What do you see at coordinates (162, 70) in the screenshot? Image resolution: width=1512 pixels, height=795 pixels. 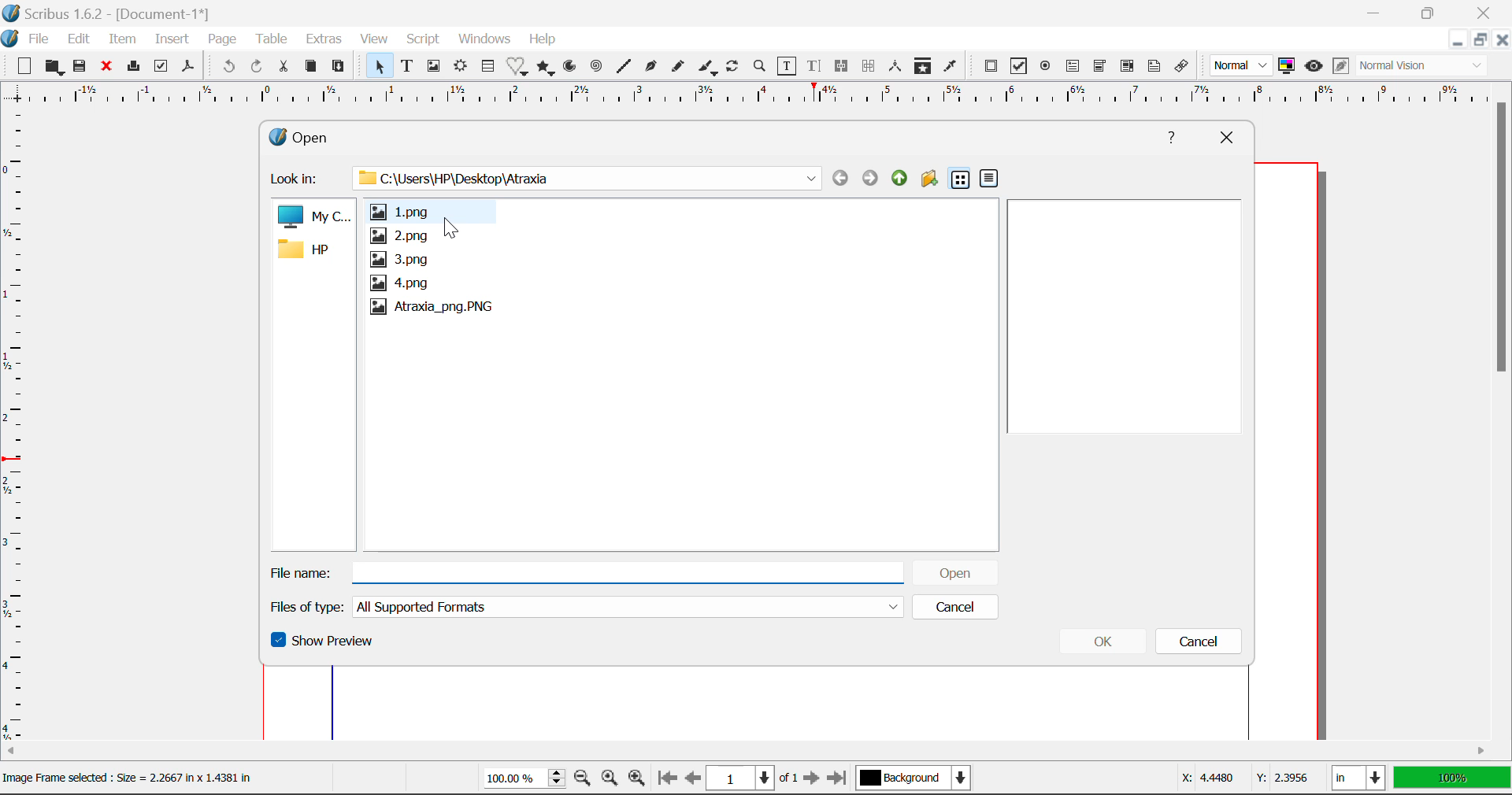 I see `Preflight Verifier` at bounding box center [162, 70].